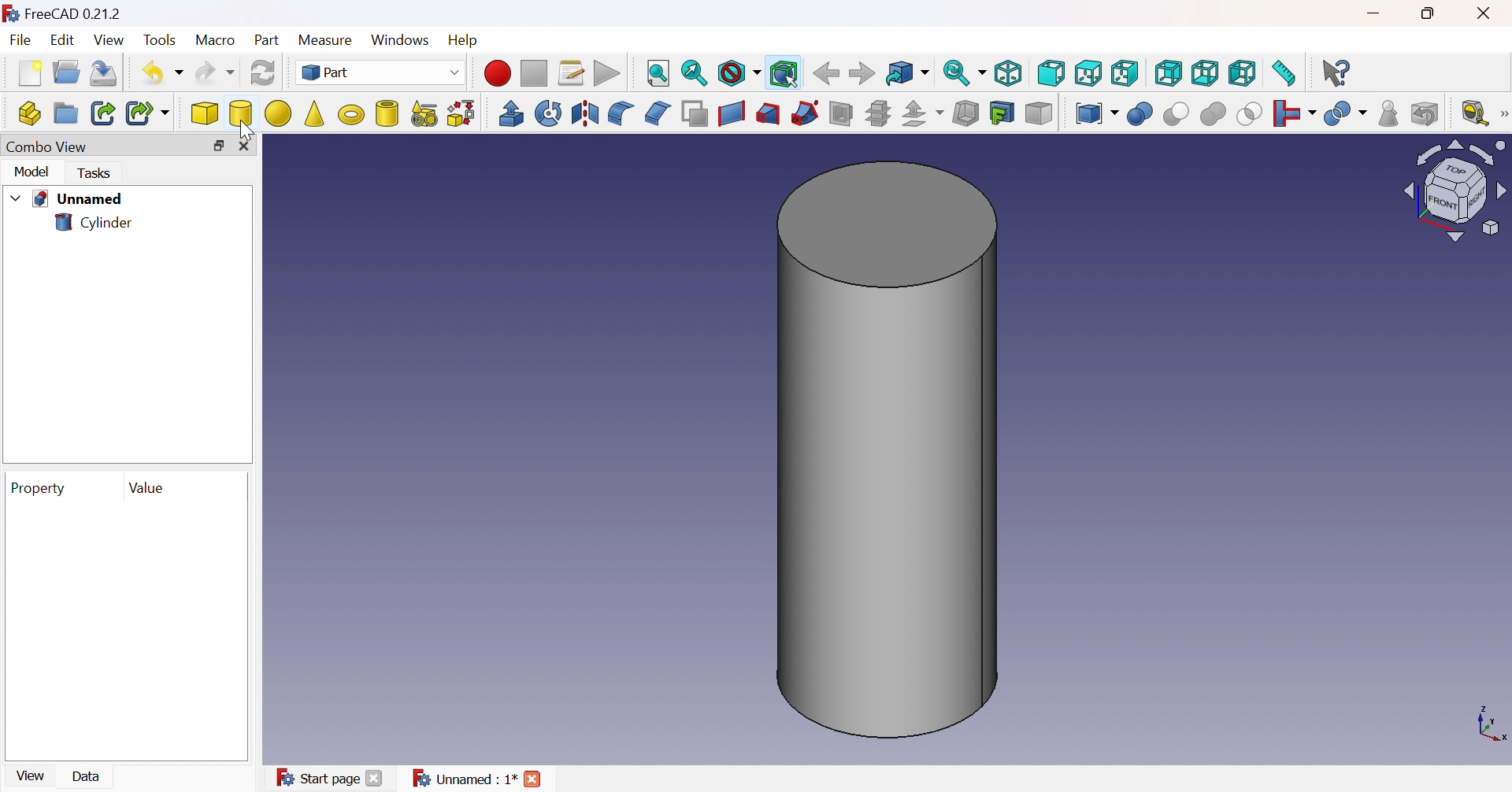  Describe the element at coordinates (1376, 15) in the screenshot. I see `Minimize` at that location.